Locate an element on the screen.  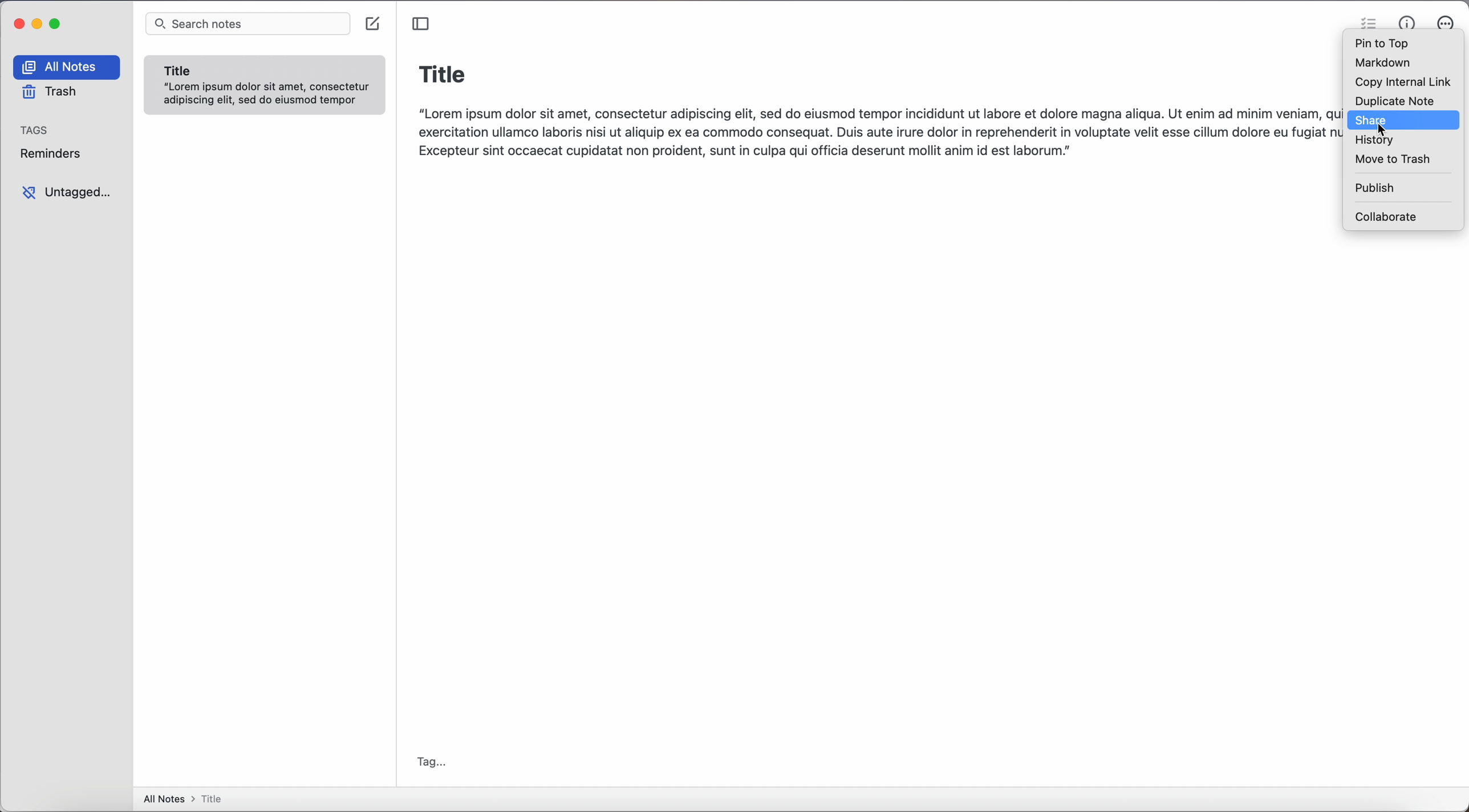
reminders is located at coordinates (55, 153).